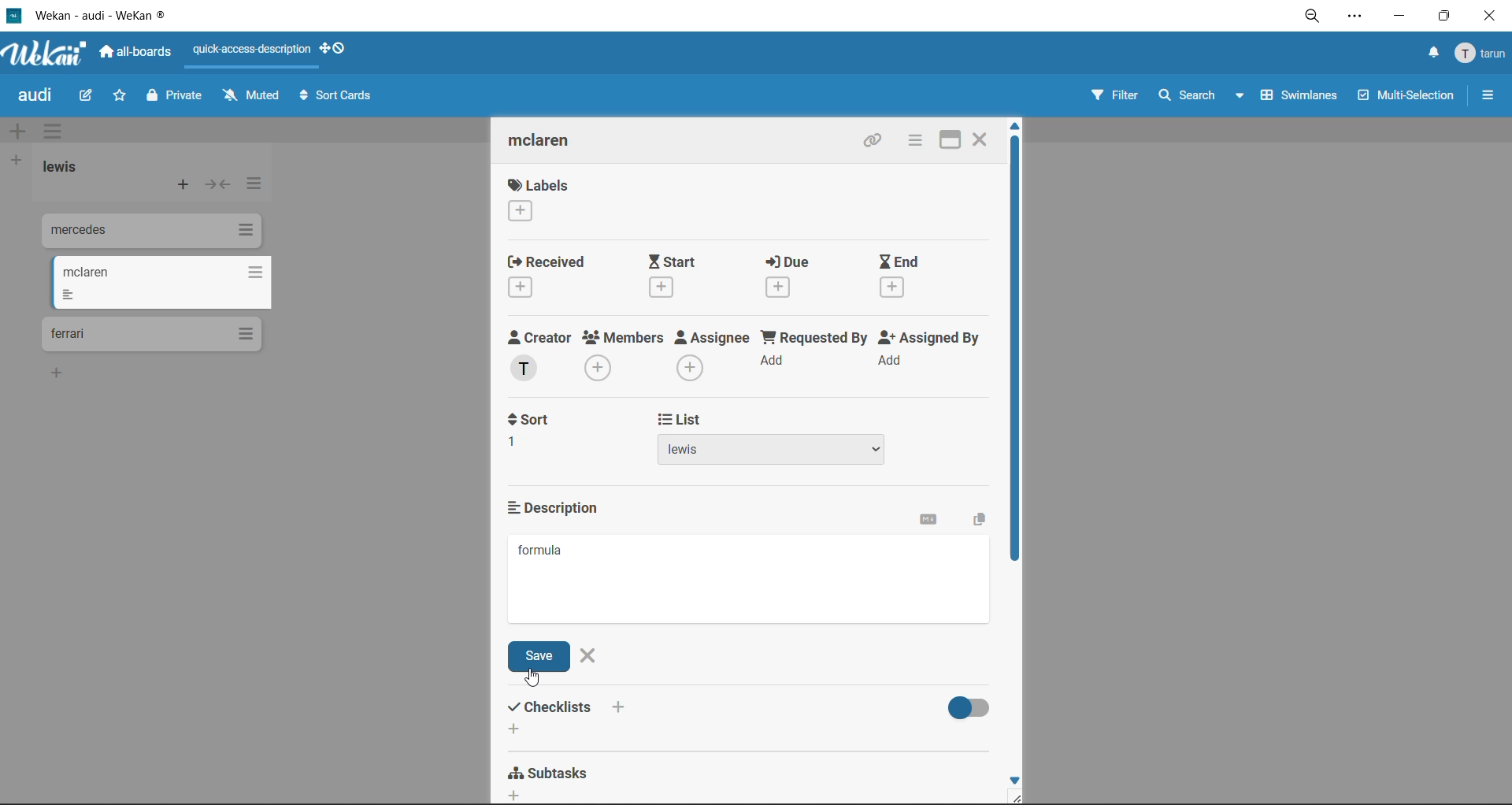 The height and width of the screenshot is (805, 1512). Describe the element at coordinates (1312, 17) in the screenshot. I see `zoom` at that location.